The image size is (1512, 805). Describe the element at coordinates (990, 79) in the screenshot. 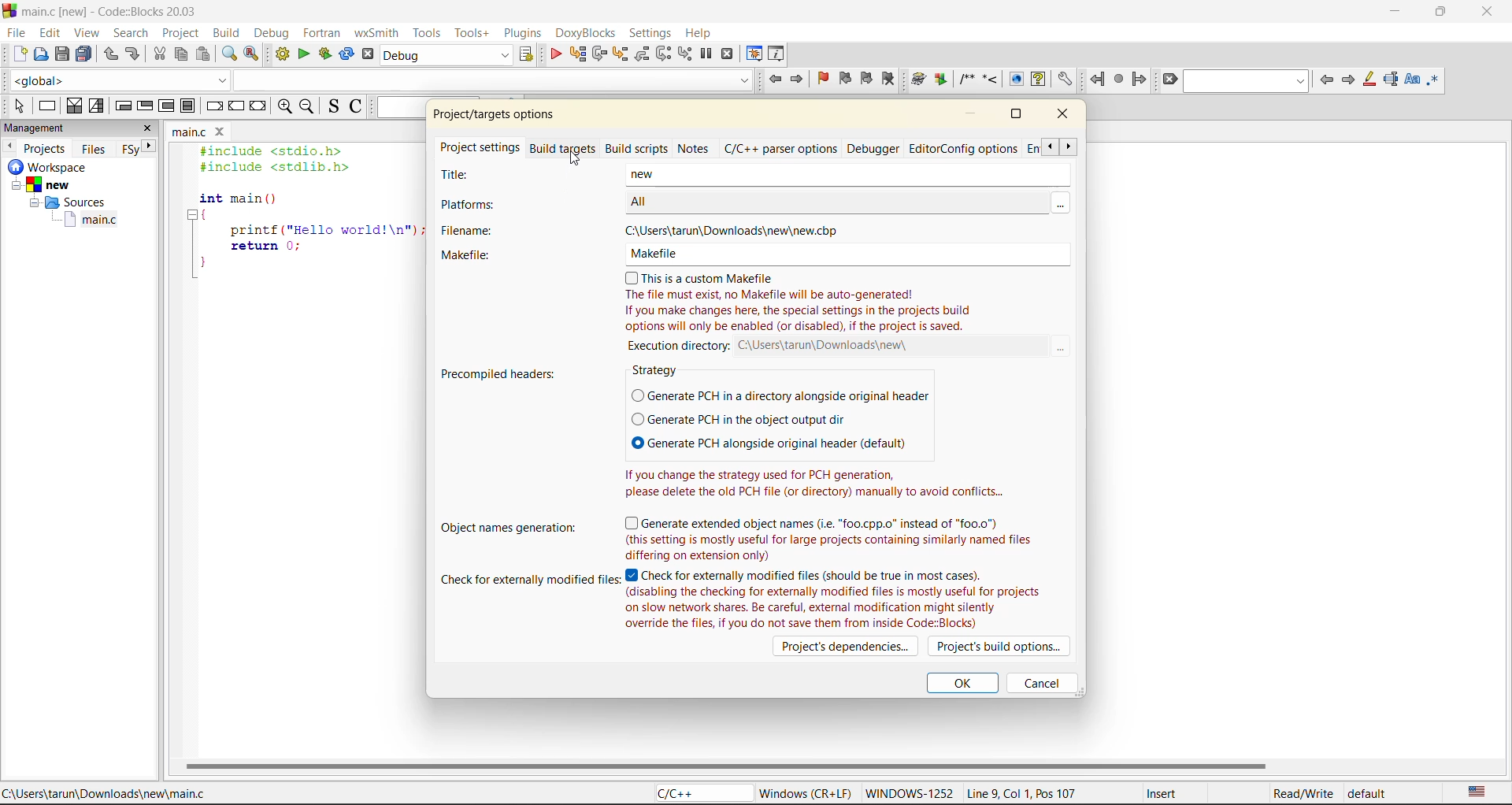

I see `Insert a line comment at the current cursor position` at that location.